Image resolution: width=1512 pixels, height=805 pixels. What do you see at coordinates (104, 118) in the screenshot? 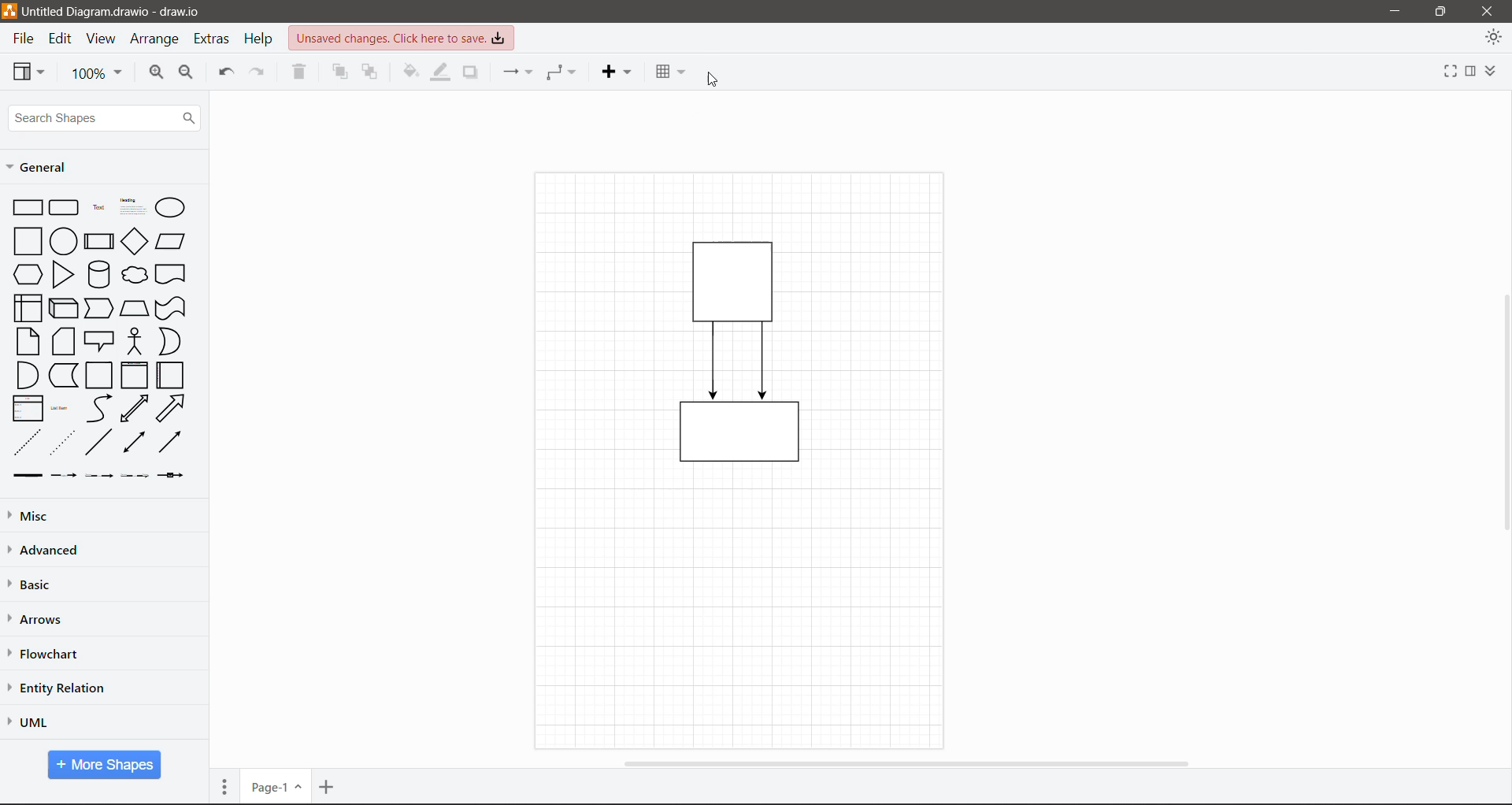
I see `Search Shapes` at bounding box center [104, 118].